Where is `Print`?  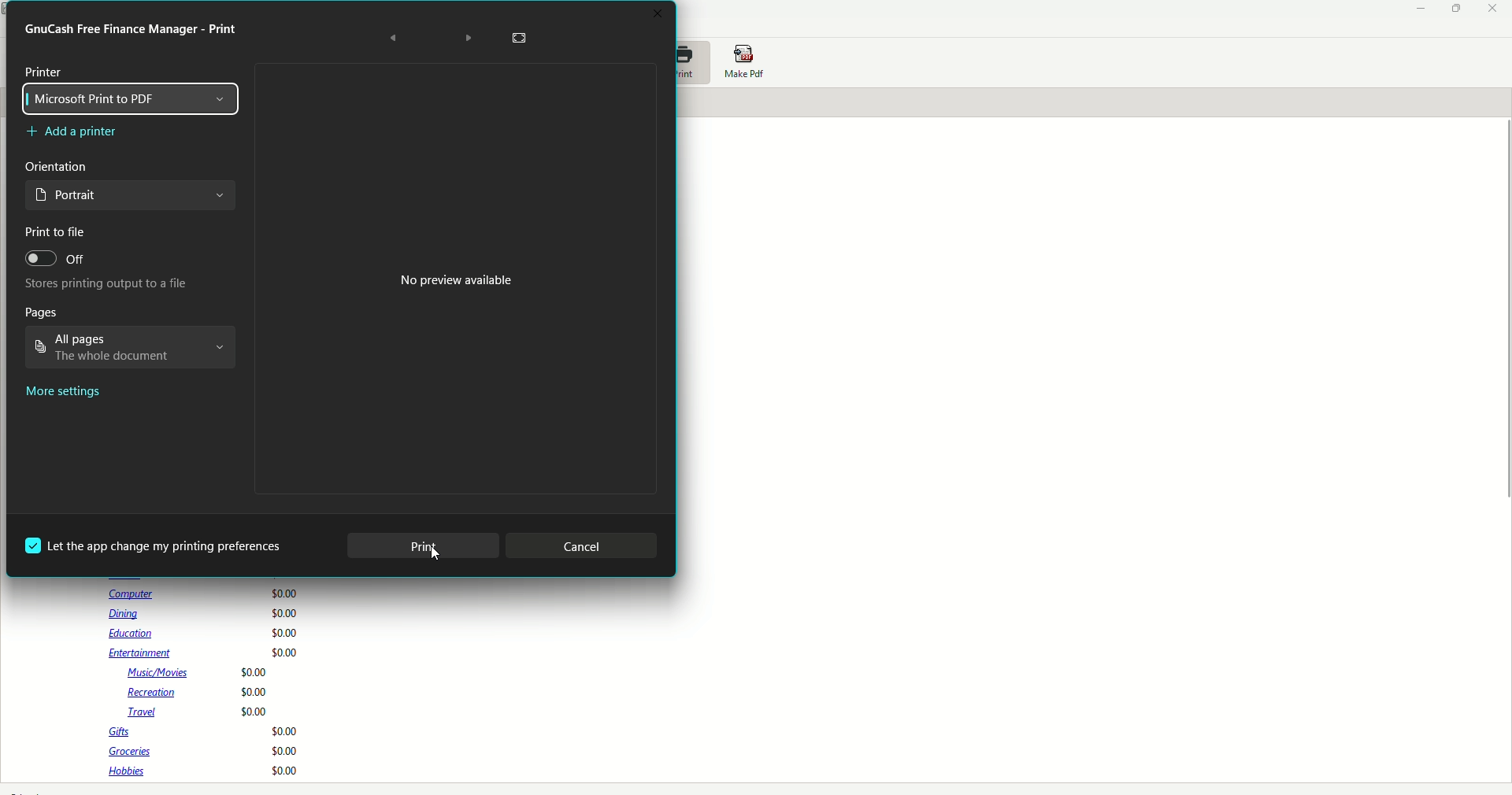 Print is located at coordinates (133, 28).